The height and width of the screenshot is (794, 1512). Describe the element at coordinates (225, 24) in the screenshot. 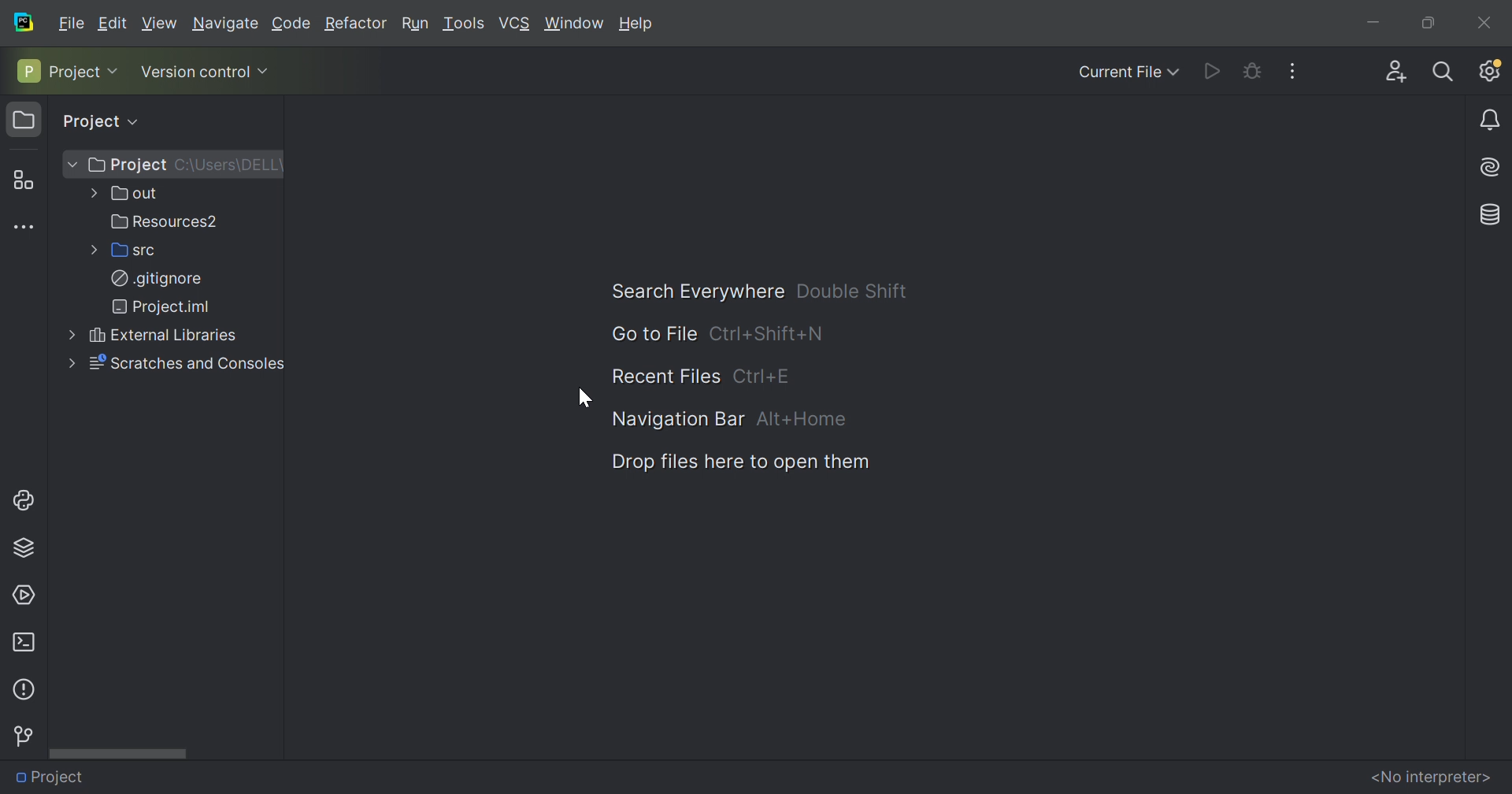

I see `Navigate` at that location.